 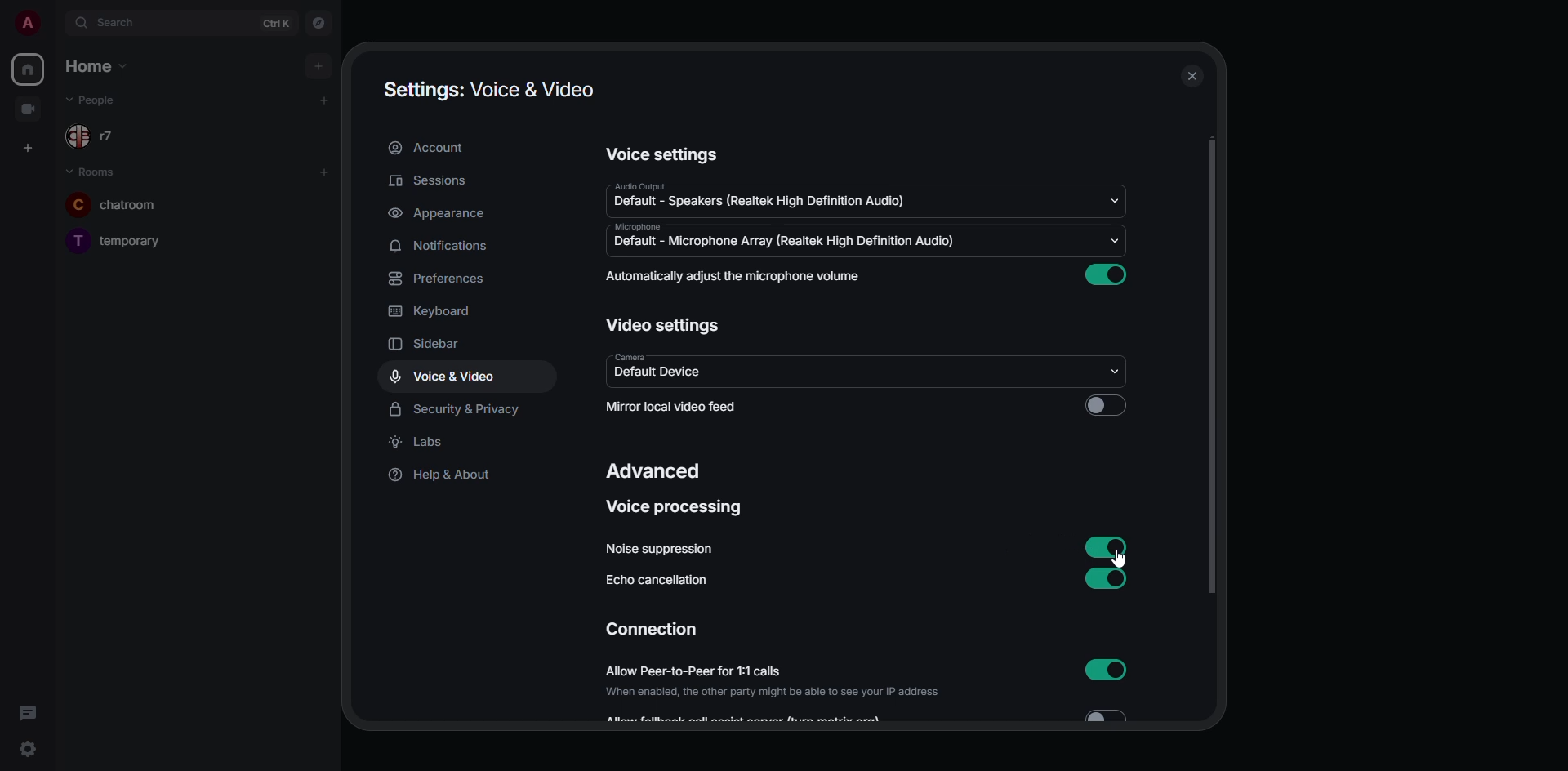 I want to click on people, so click(x=94, y=100).